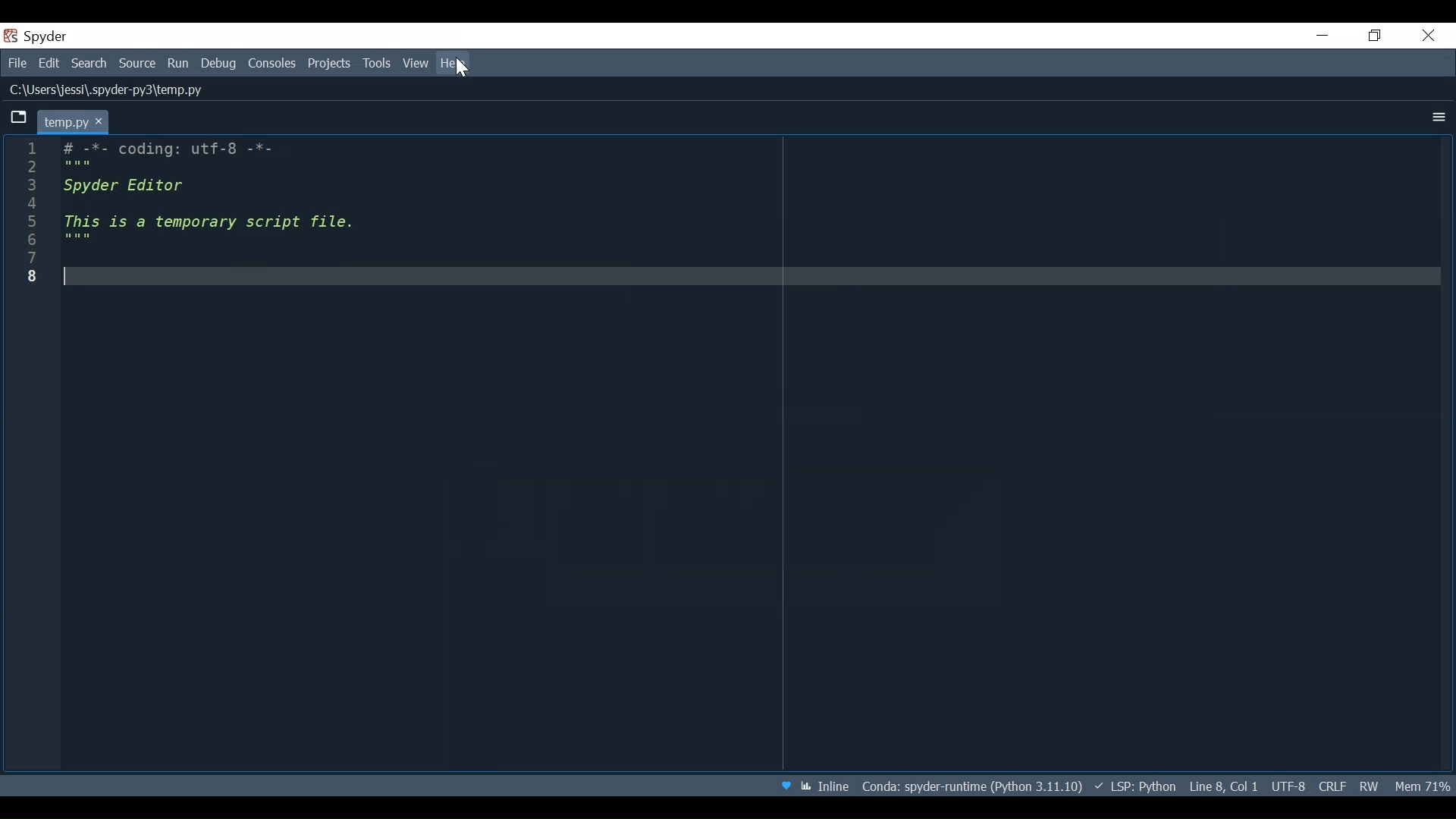 The image size is (1456, 819). Describe the element at coordinates (137, 64) in the screenshot. I see `Source` at that location.